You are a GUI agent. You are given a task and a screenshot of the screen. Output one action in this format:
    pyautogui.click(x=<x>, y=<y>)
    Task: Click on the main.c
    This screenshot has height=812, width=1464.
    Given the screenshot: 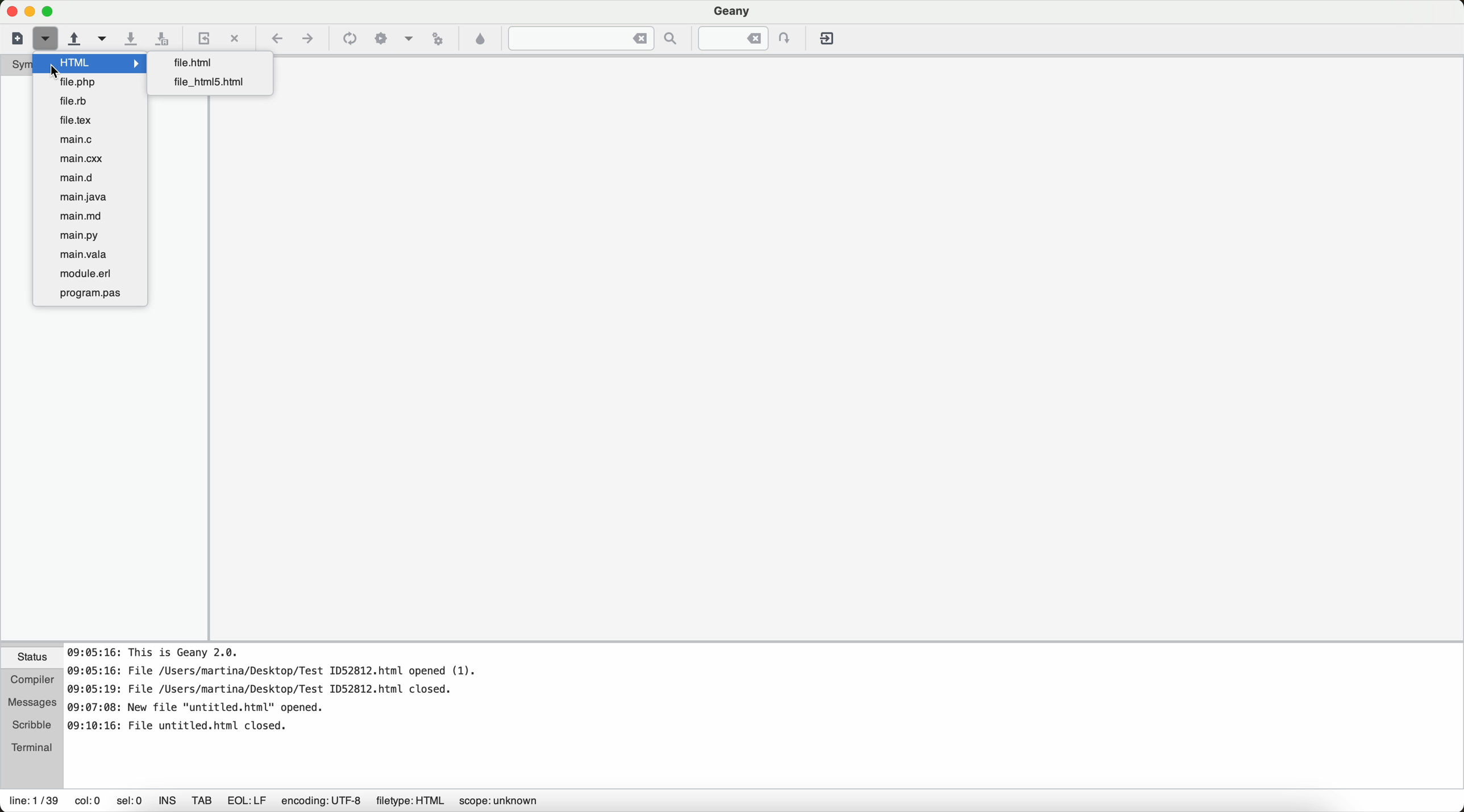 What is the action you would take?
    pyautogui.click(x=90, y=138)
    